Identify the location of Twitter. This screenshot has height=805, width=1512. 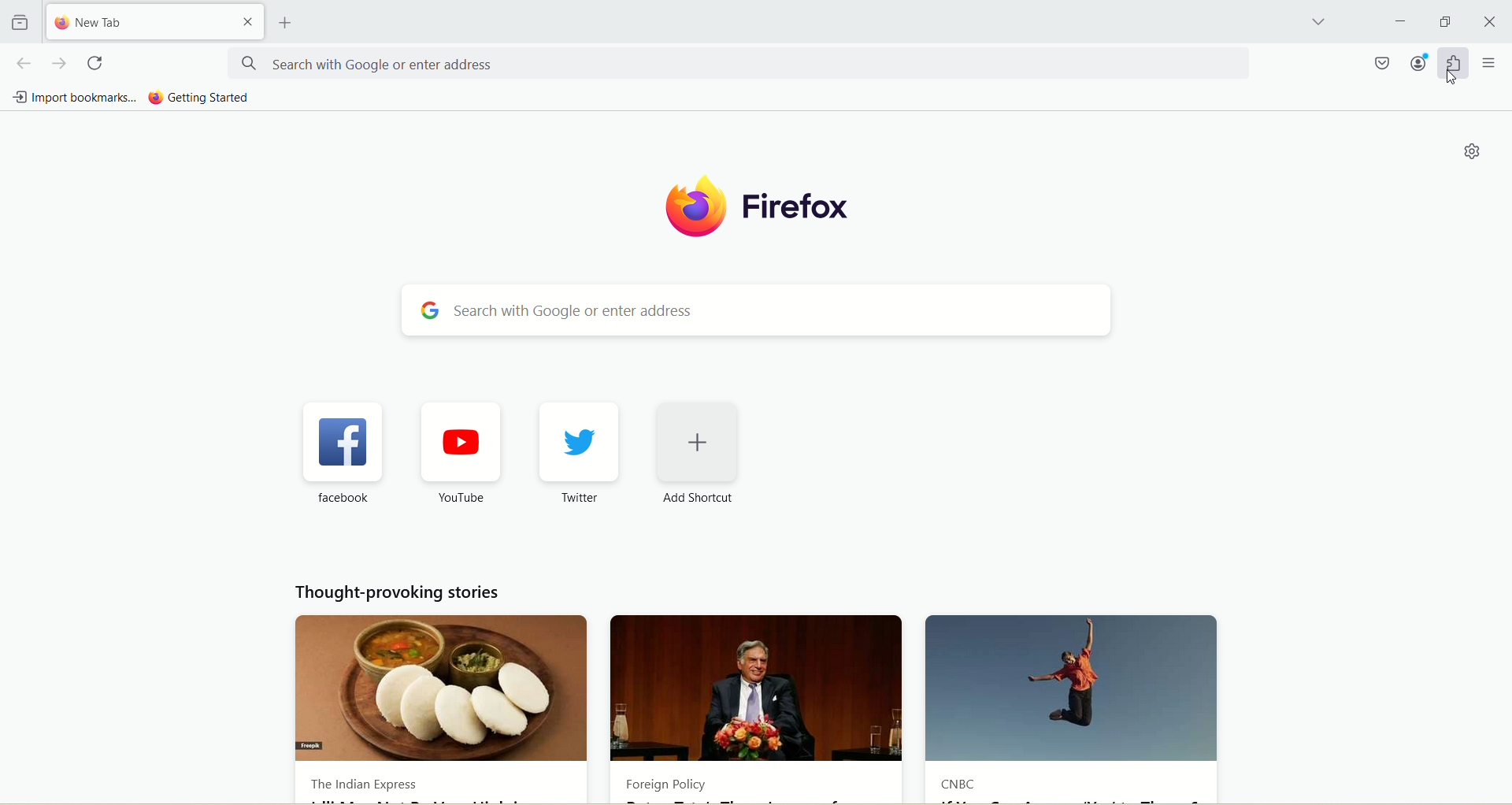
(580, 455).